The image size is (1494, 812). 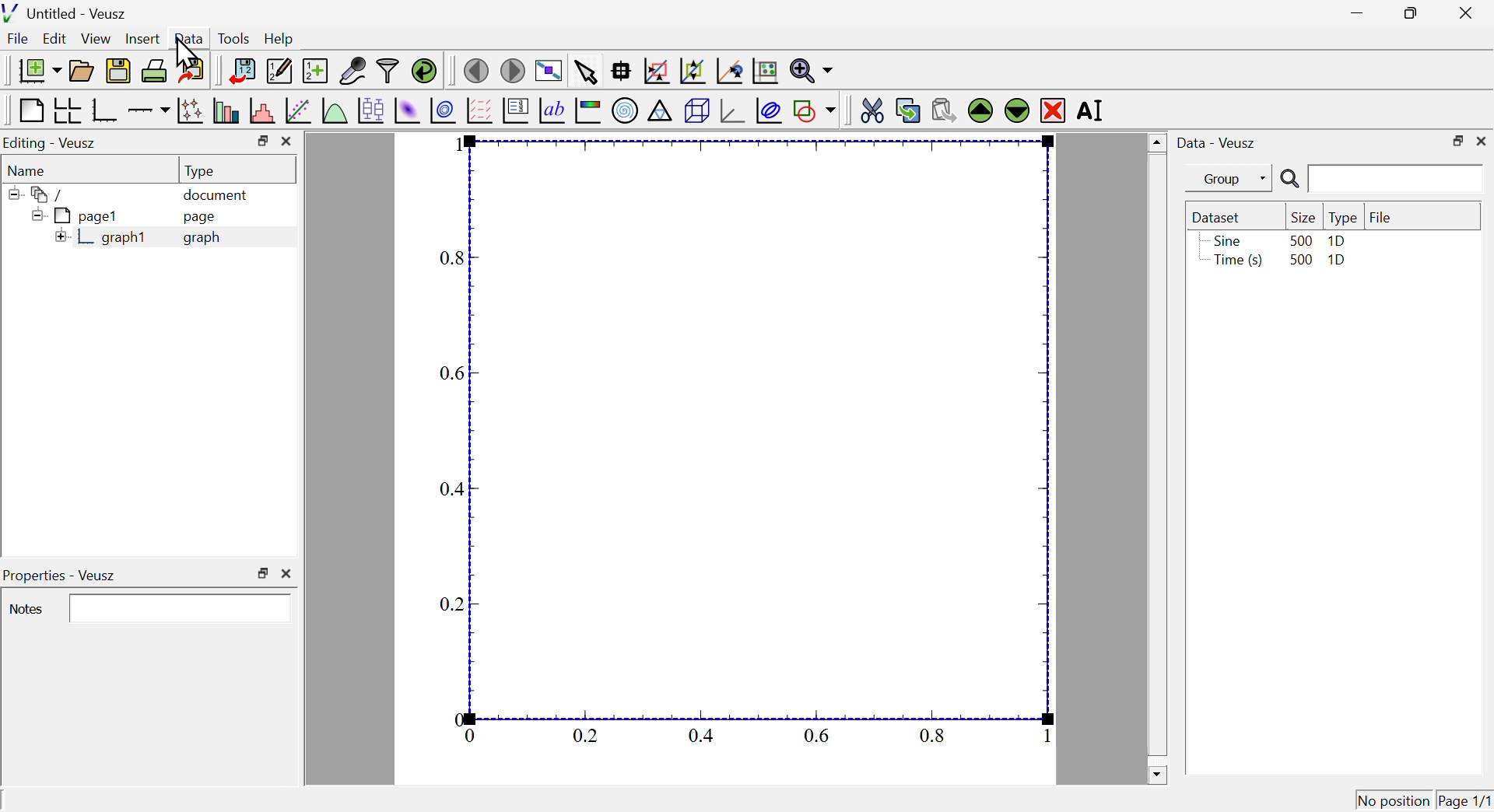 I want to click on move the selected widget up, so click(x=980, y=110).